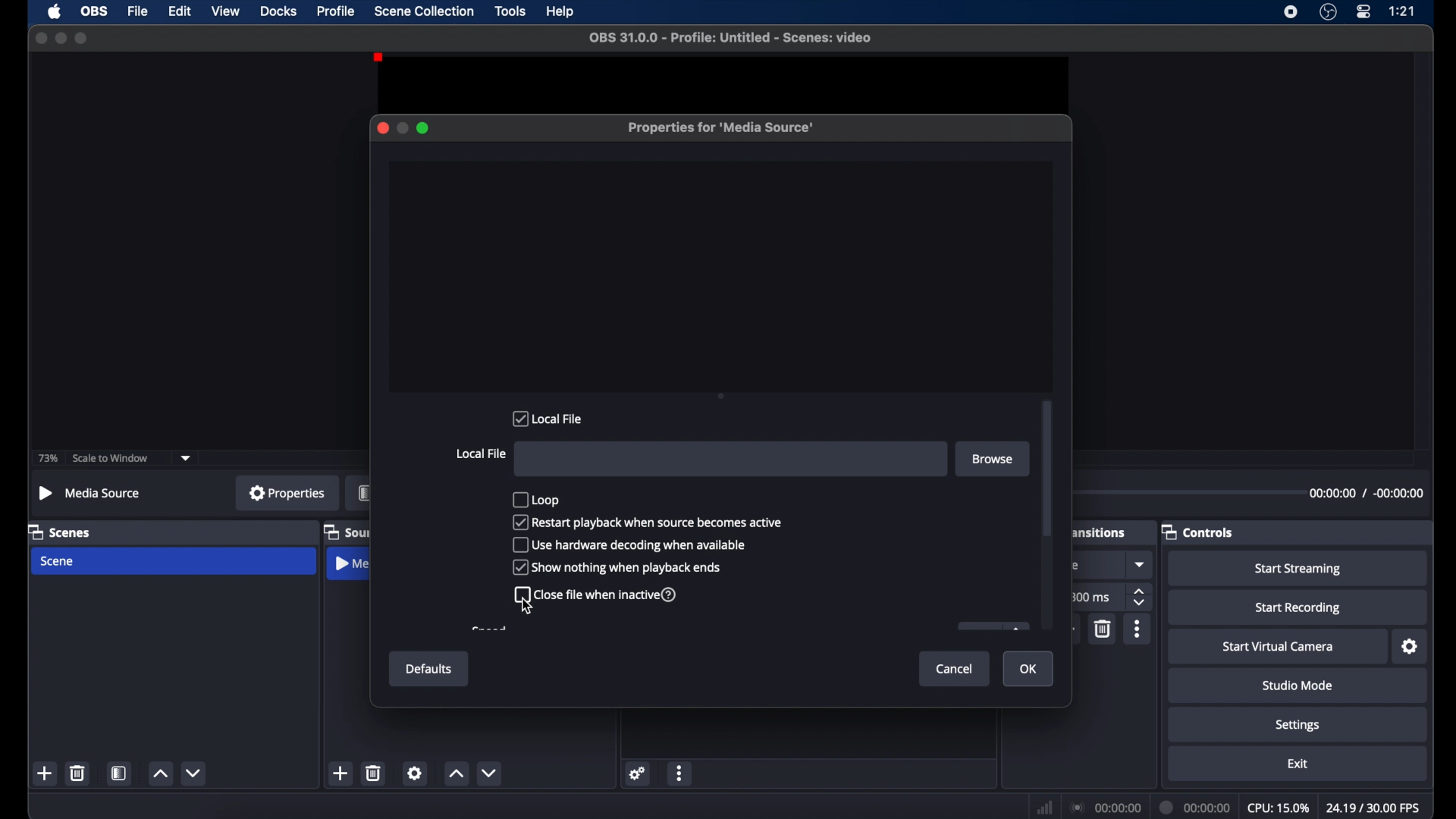 Image resolution: width=1456 pixels, height=819 pixels. What do you see at coordinates (187, 457) in the screenshot?
I see `dropdown` at bounding box center [187, 457].